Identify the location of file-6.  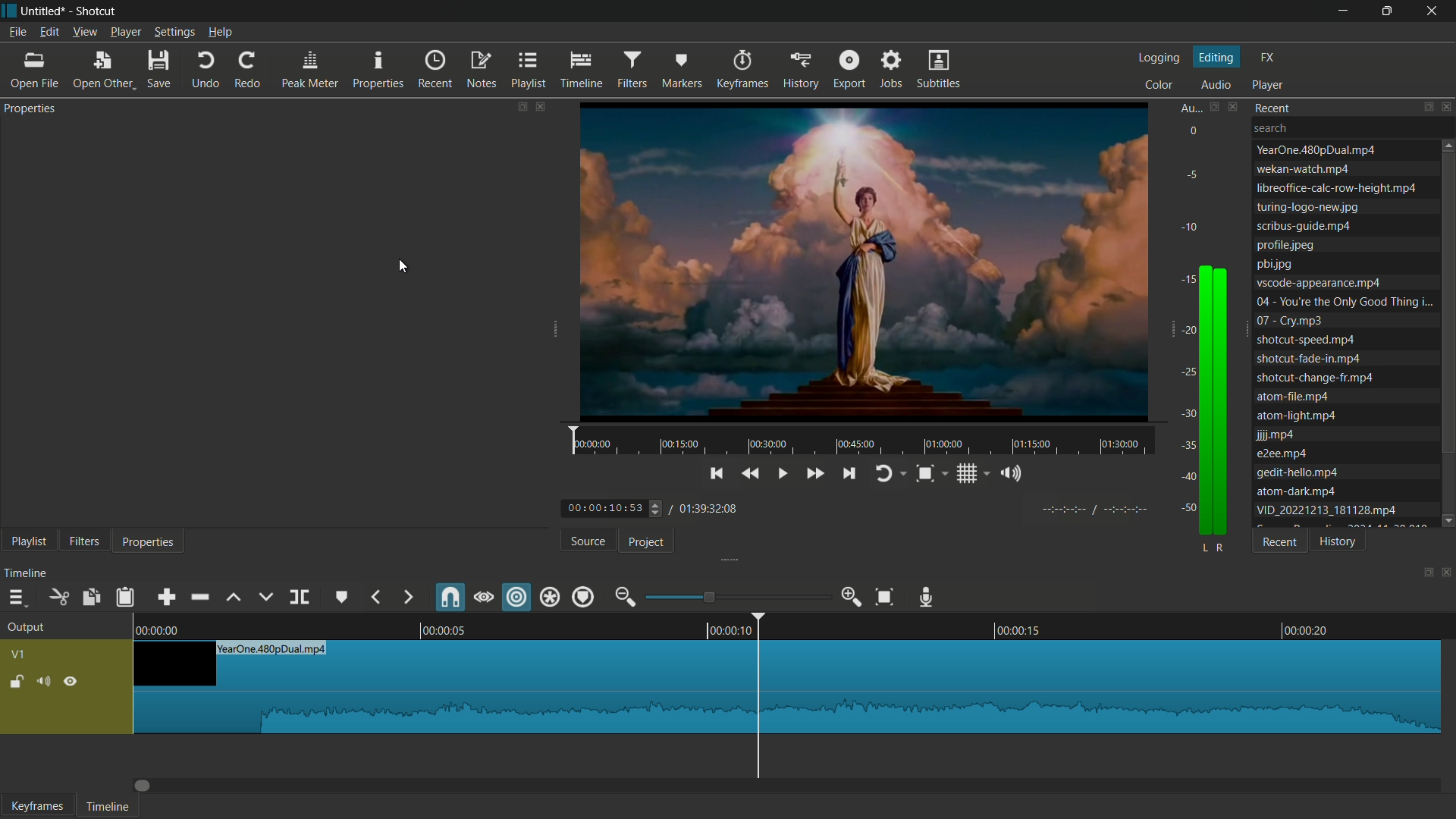
(1285, 245).